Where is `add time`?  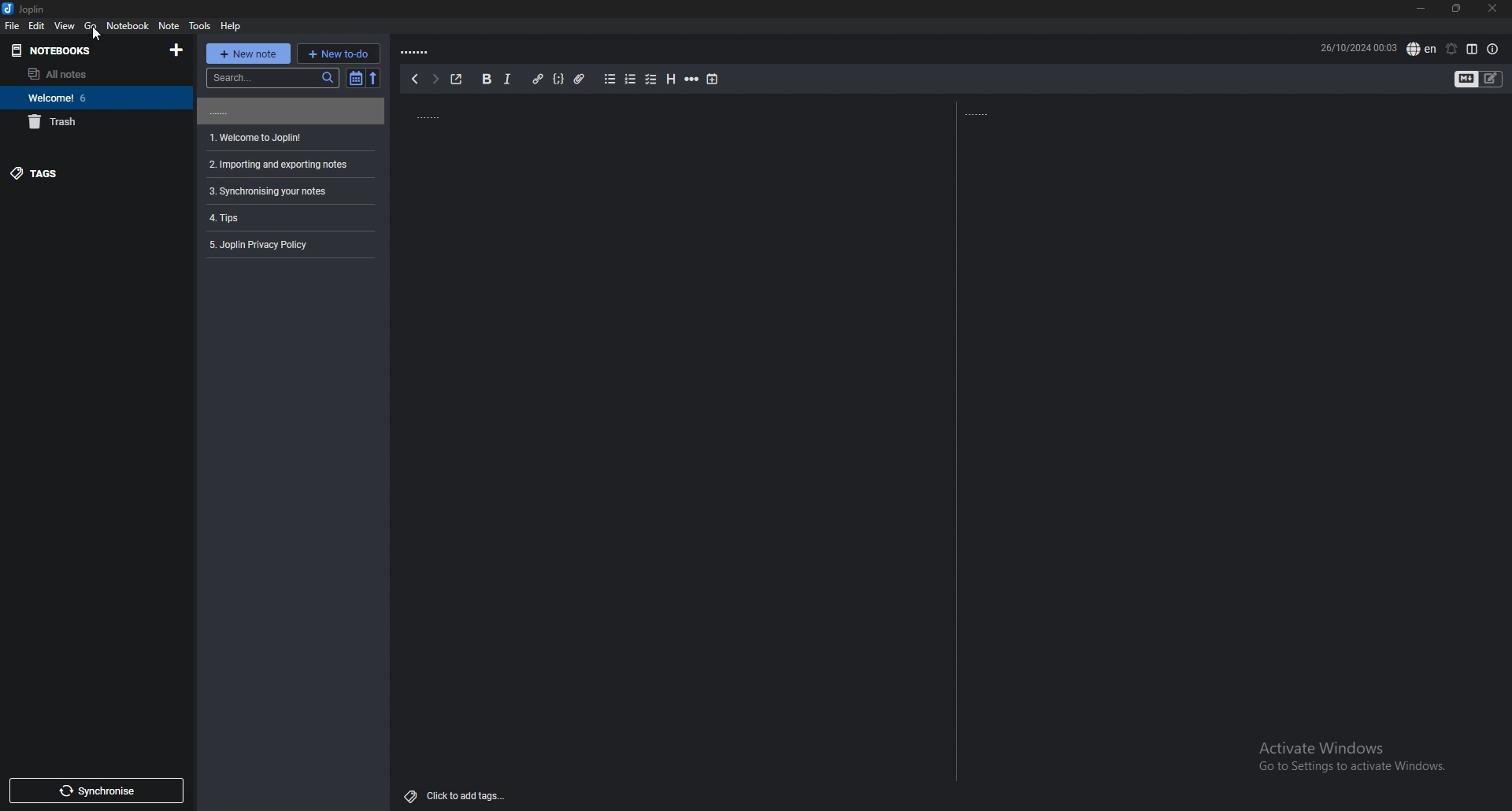 add time is located at coordinates (712, 80).